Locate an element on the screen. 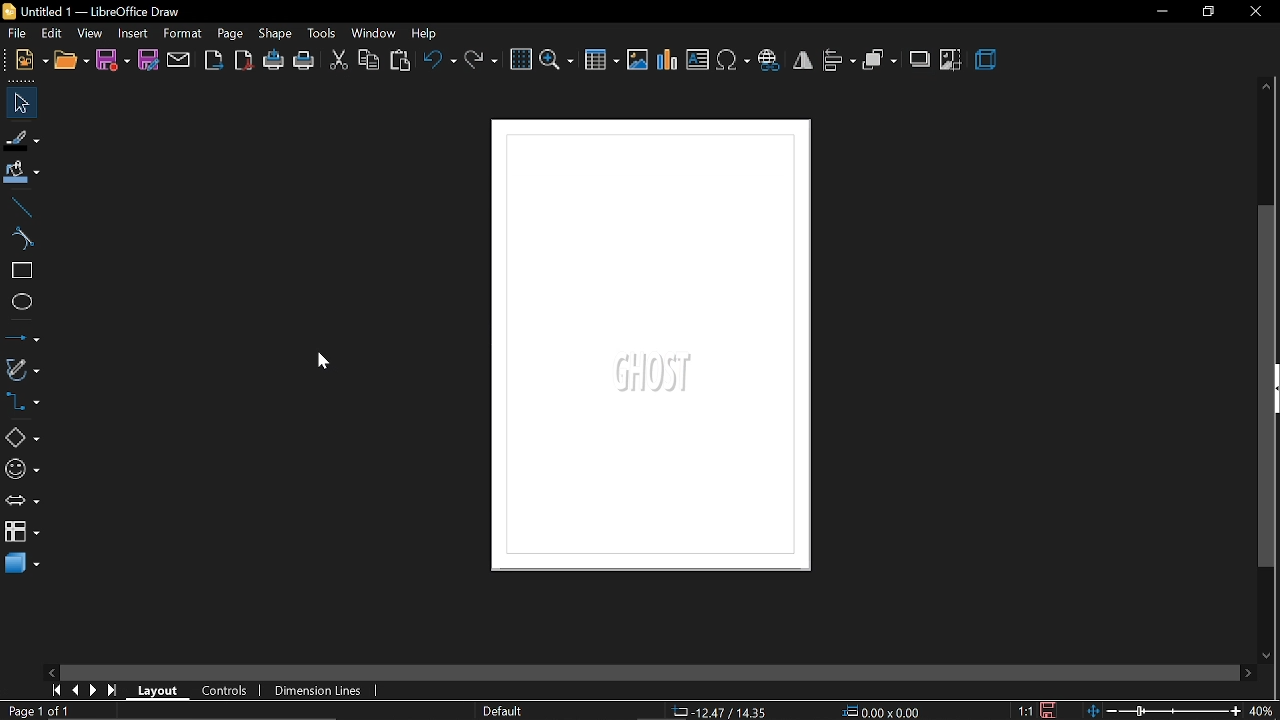  previous page is located at coordinates (71, 691).